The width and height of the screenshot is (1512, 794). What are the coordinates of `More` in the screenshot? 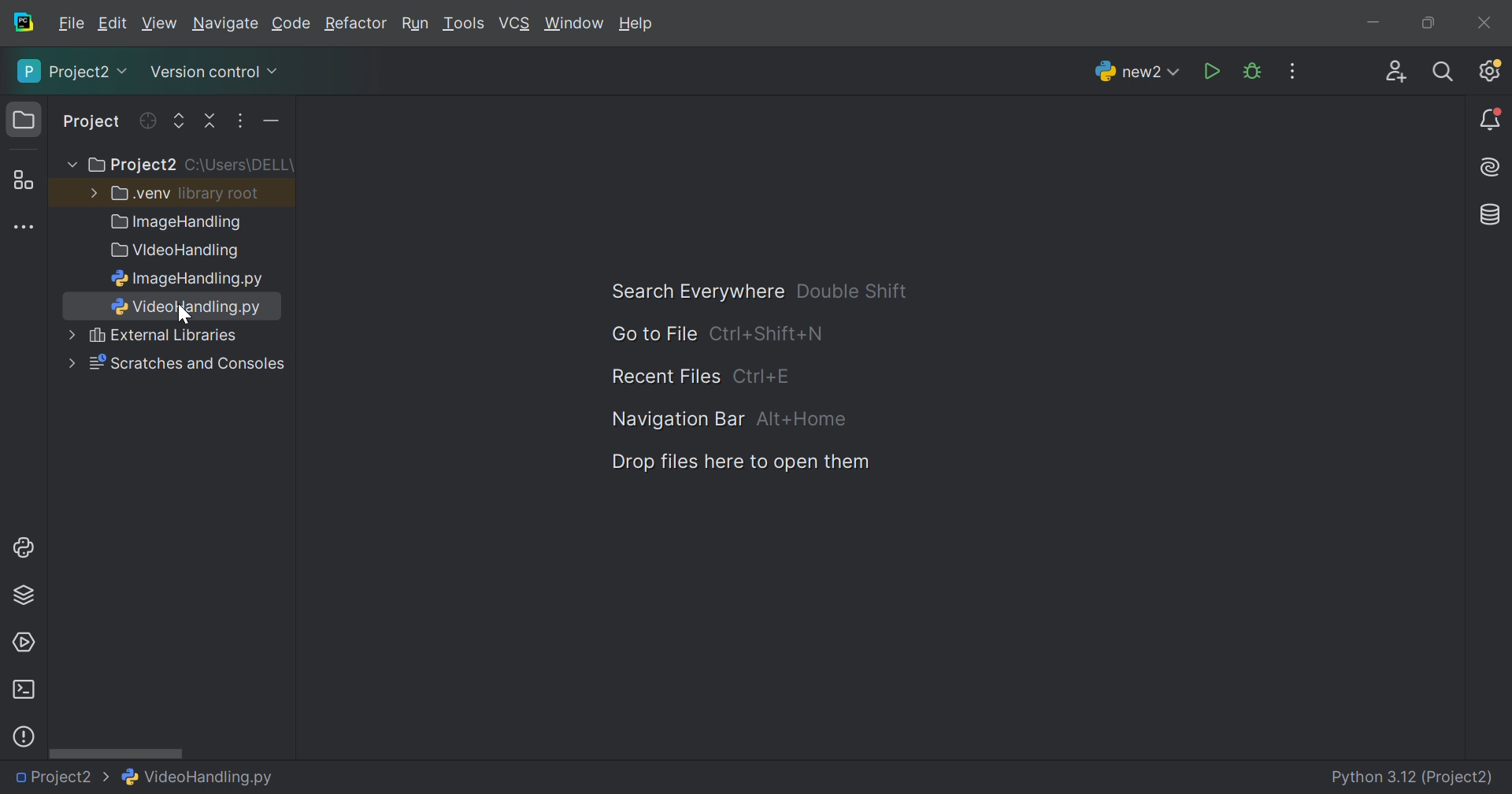 It's located at (91, 191).